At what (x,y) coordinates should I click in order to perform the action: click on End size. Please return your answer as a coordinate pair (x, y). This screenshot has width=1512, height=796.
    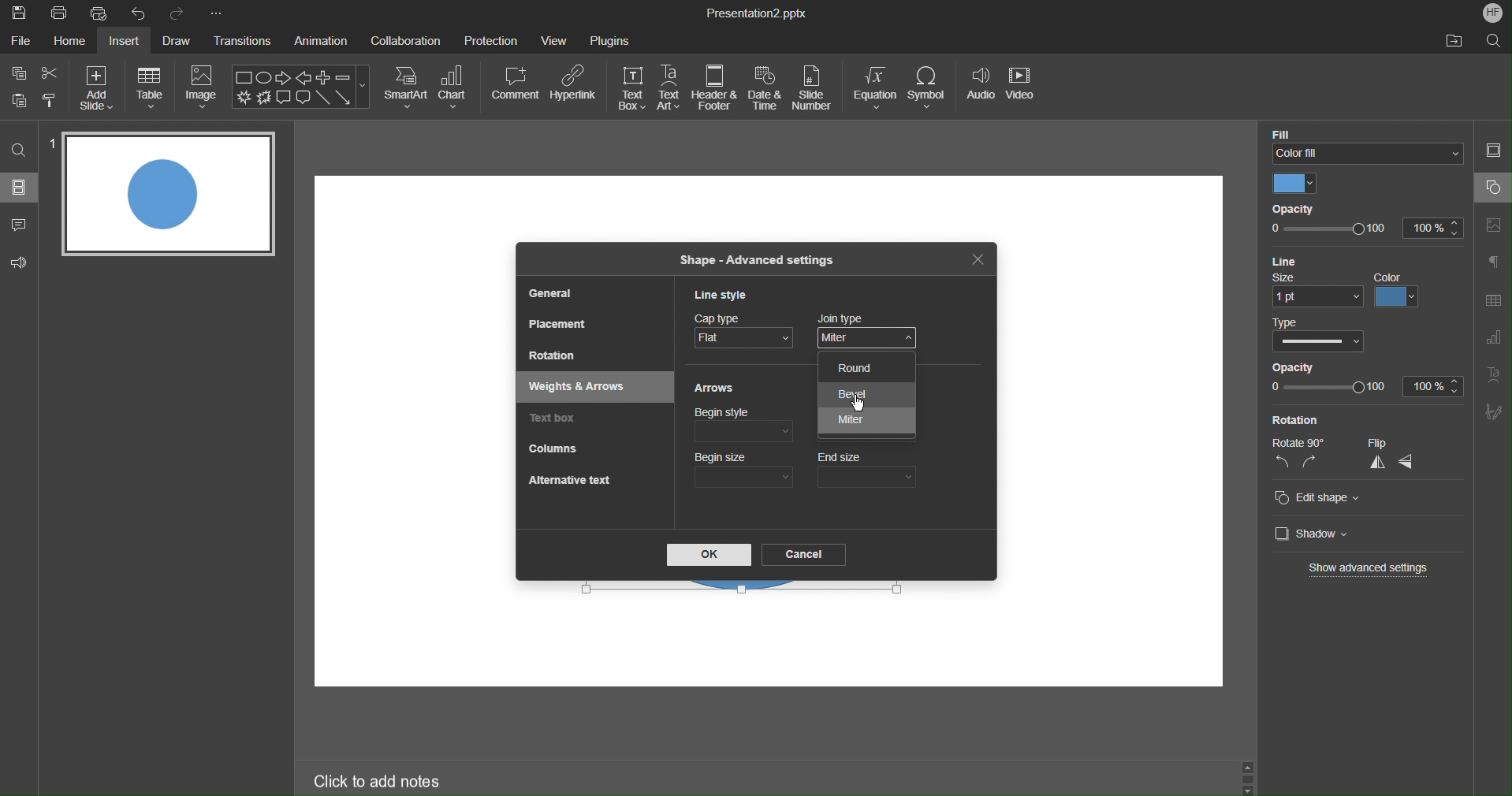
    Looking at the image, I should click on (870, 470).